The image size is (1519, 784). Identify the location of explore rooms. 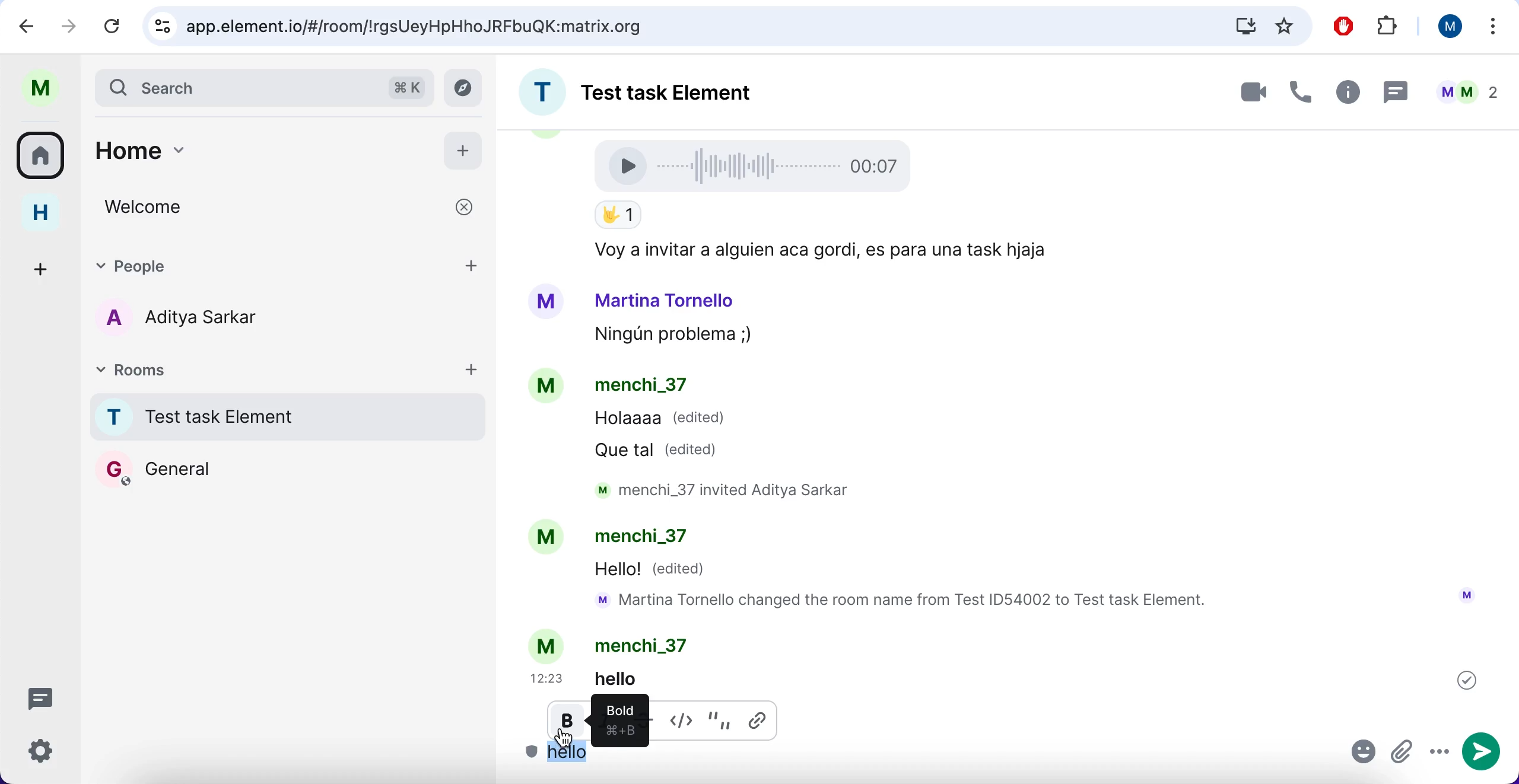
(466, 88).